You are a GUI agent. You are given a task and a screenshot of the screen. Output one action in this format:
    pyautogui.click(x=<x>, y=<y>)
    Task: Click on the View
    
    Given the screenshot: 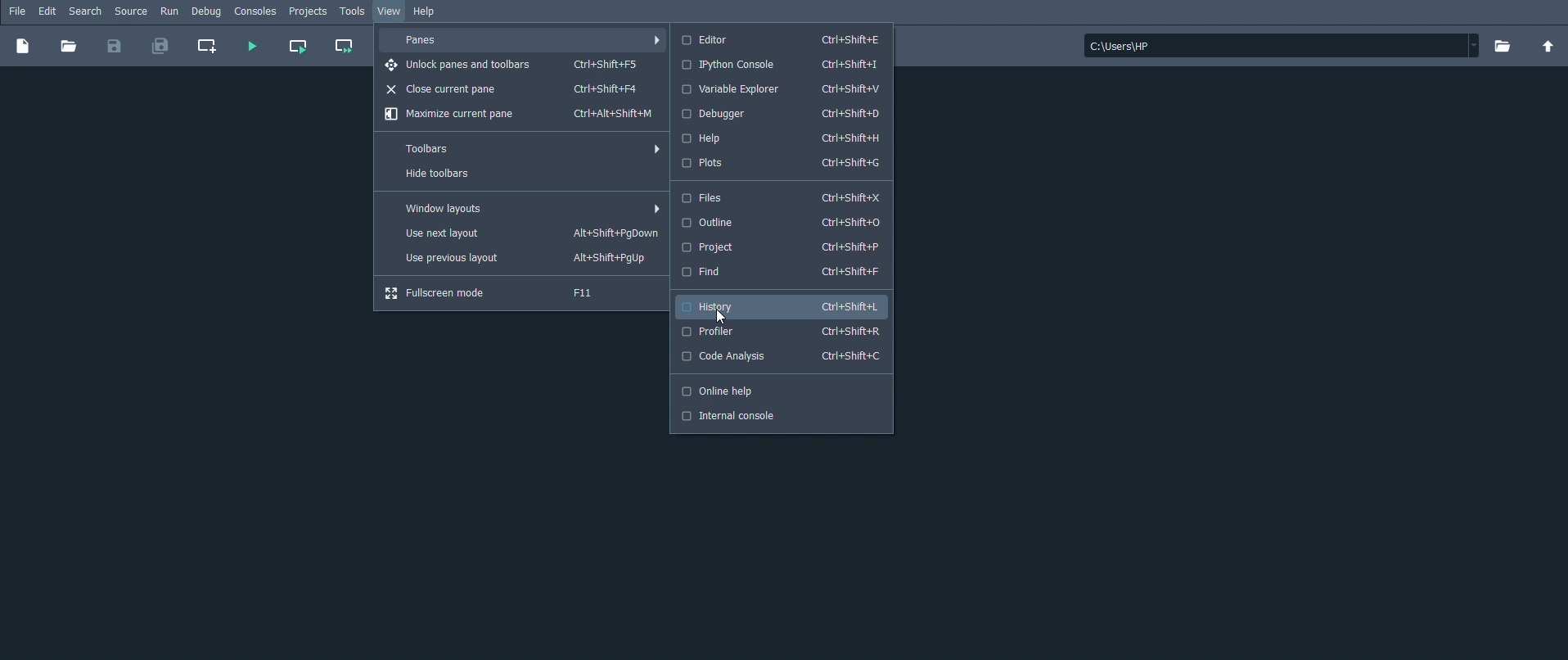 What is the action you would take?
    pyautogui.click(x=389, y=11)
    